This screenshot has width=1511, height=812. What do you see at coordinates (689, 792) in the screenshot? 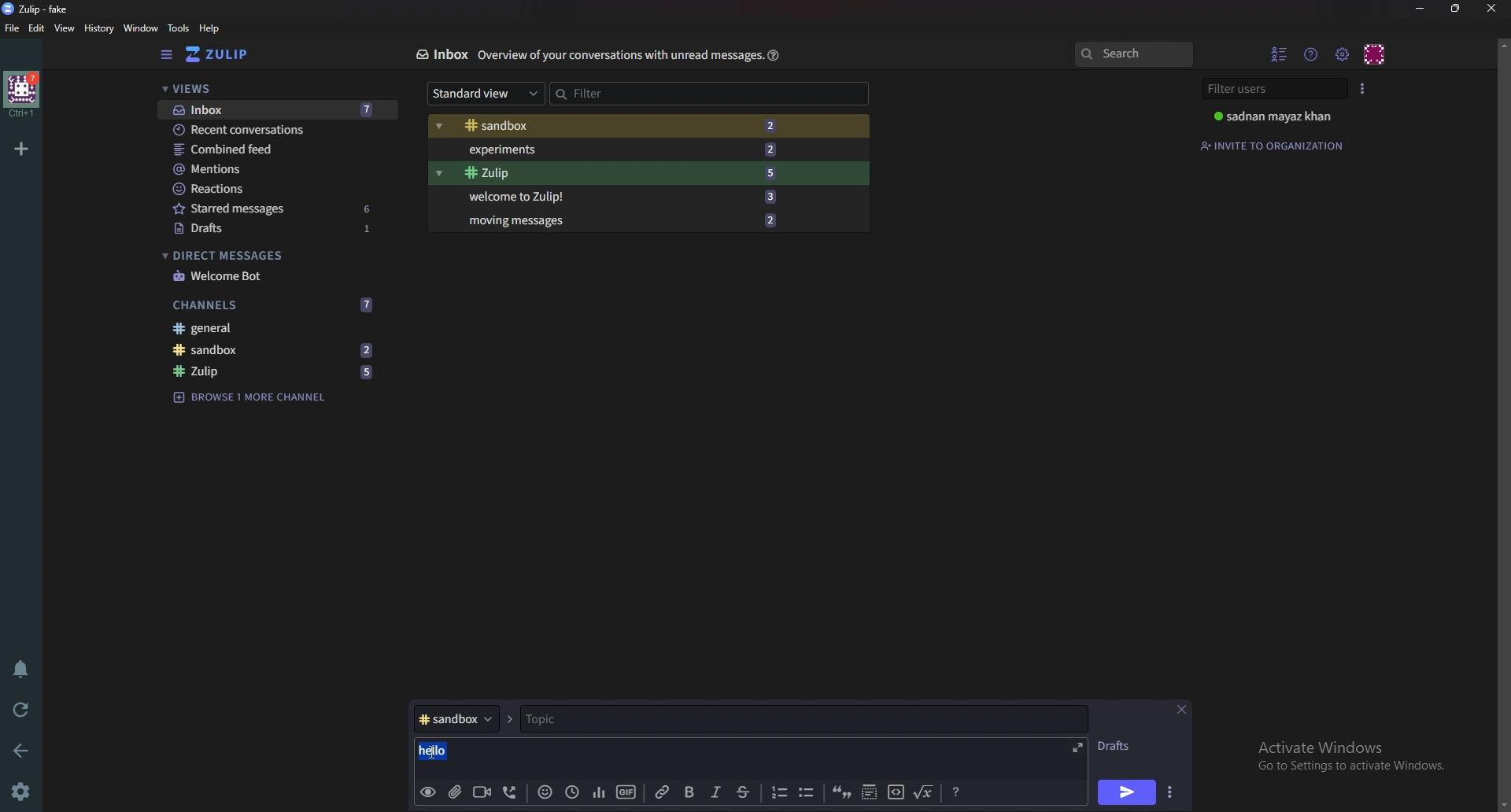
I see `Bold` at bounding box center [689, 792].